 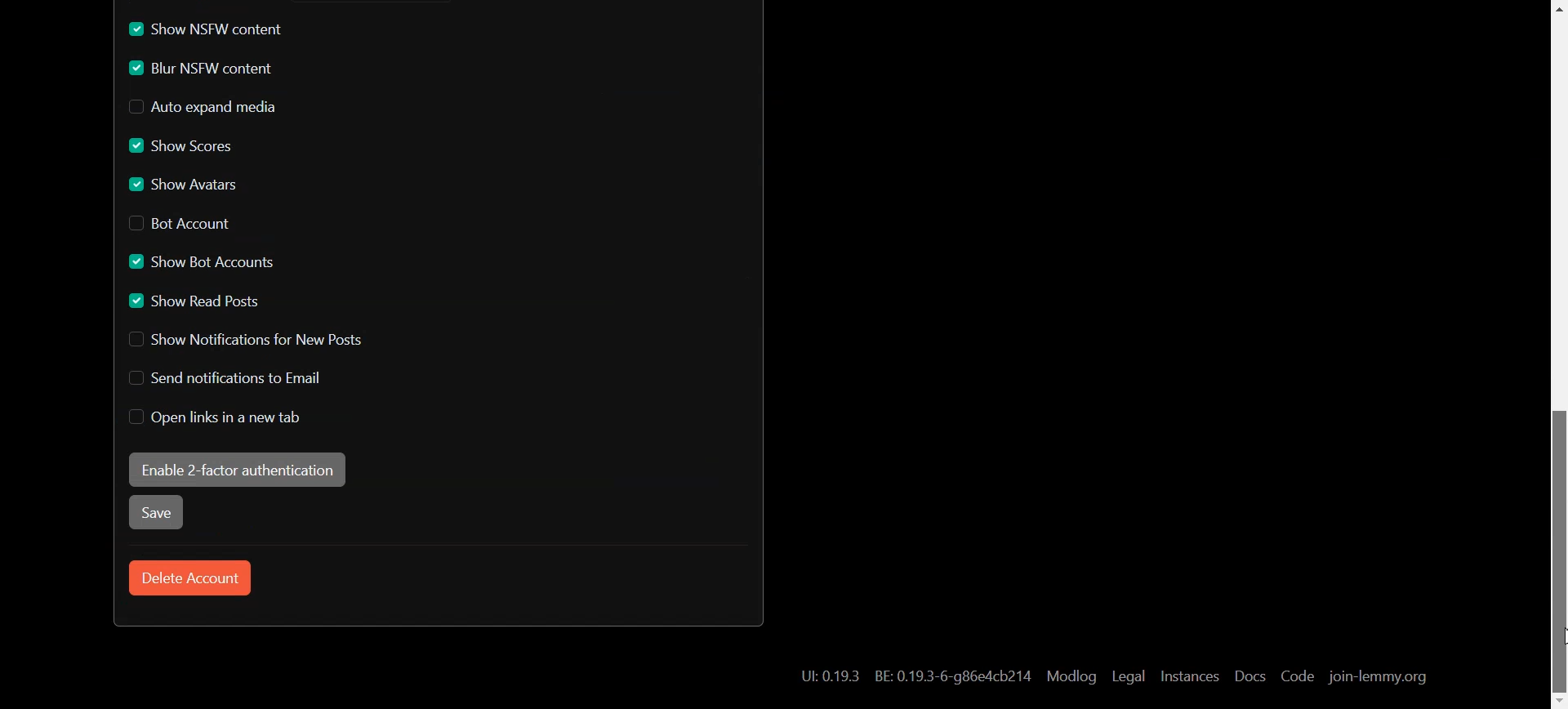 I want to click on Docs, so click(x=1249, y=677).